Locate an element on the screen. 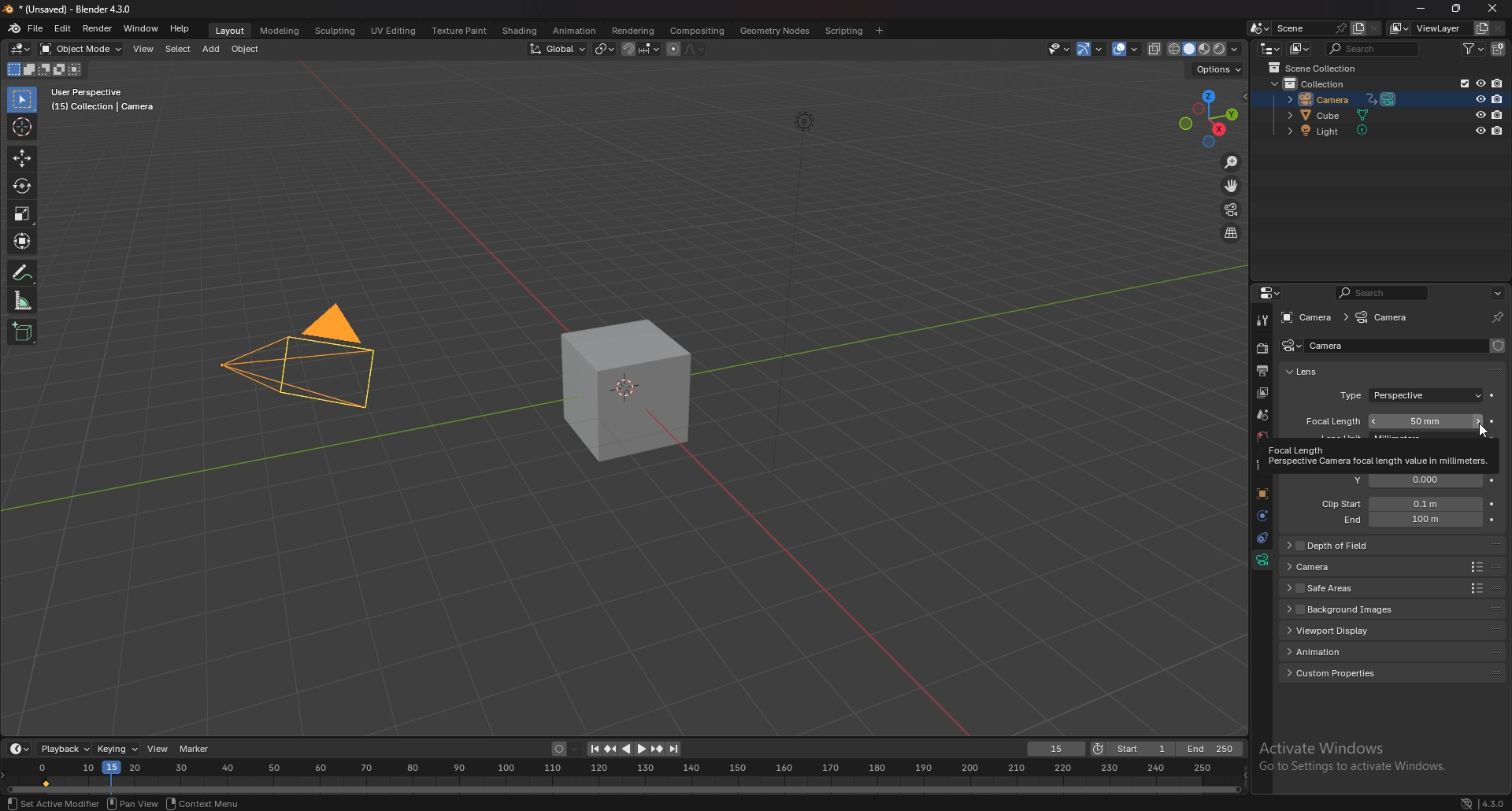  scene is located at coordinates (1308, 28).